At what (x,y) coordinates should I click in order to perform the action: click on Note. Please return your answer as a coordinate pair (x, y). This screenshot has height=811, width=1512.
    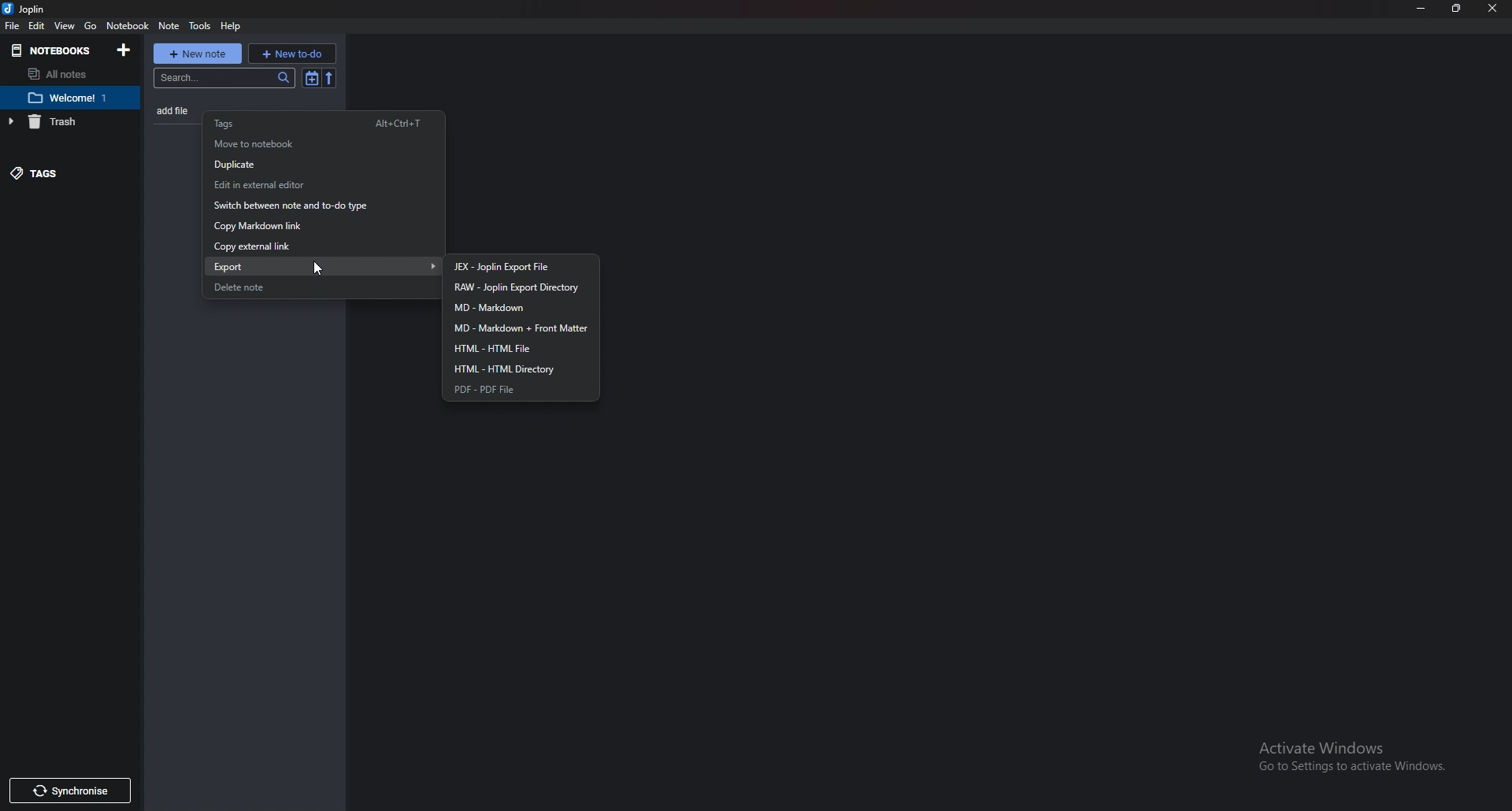
    Looking at the image, I should click on (176, 110).